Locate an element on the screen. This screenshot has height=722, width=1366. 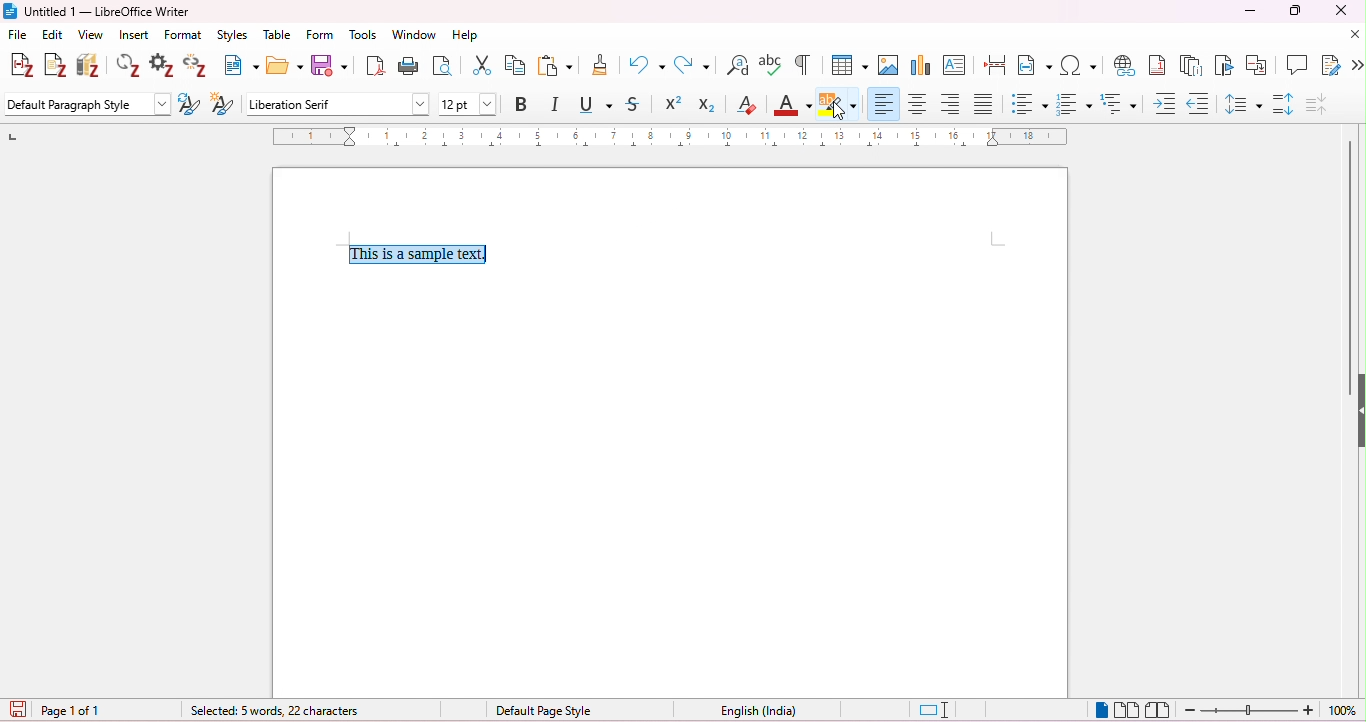
align right is located at coordinates (949, 104).